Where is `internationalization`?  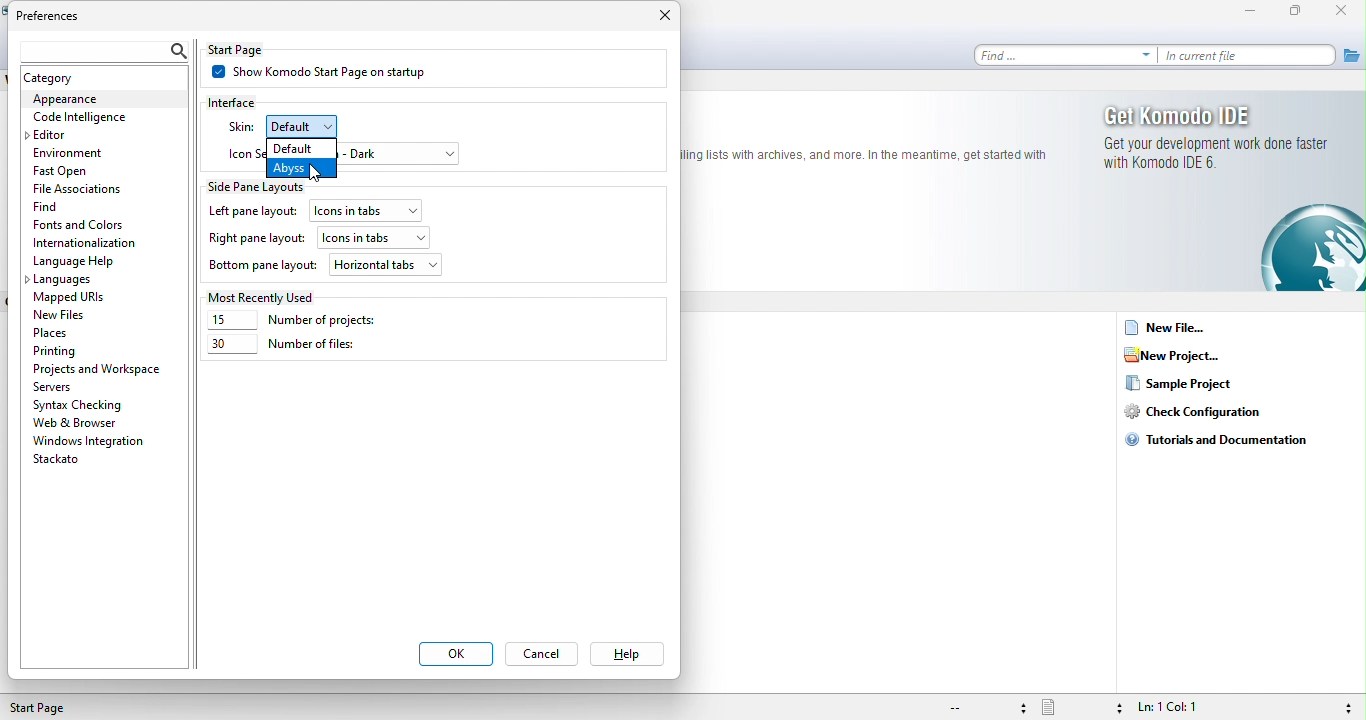
internationalization is located at coordinates (92, 243).